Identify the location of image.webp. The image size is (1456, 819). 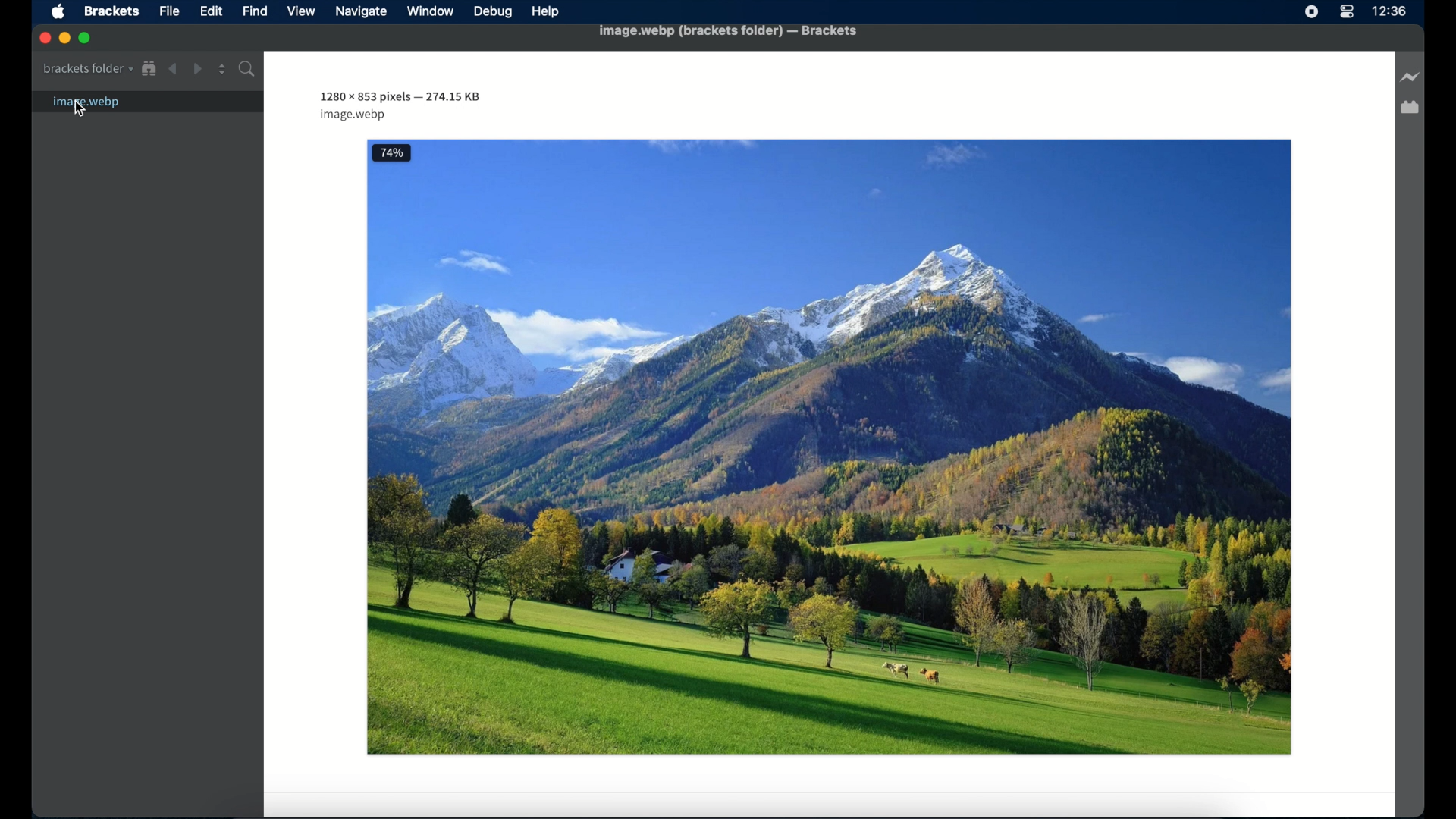
(148, 102).